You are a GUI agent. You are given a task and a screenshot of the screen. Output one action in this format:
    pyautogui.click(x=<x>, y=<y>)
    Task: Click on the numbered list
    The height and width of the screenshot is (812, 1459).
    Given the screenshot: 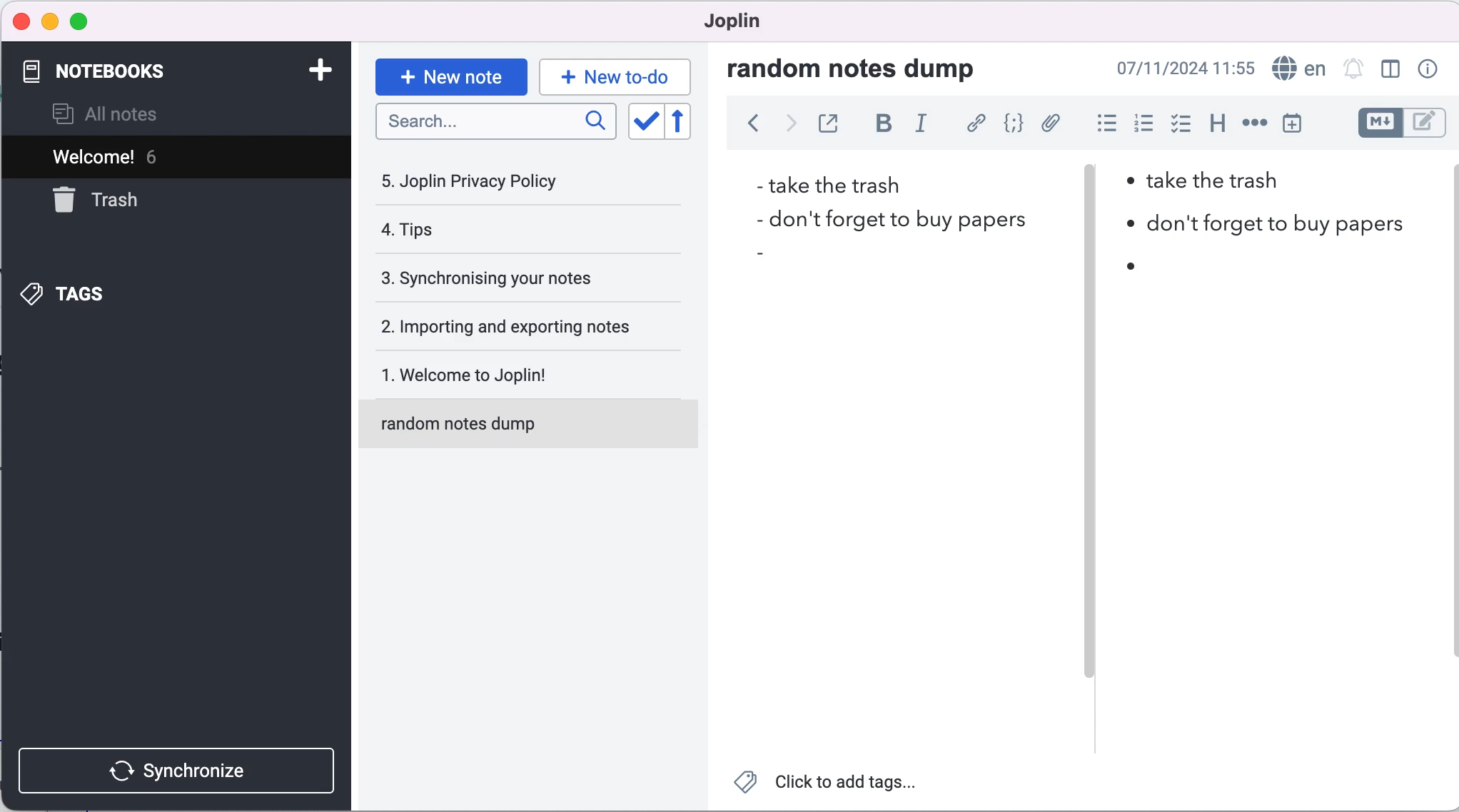 What is the action you would take?
    pyautogui.click(x=1141, y=123)
    